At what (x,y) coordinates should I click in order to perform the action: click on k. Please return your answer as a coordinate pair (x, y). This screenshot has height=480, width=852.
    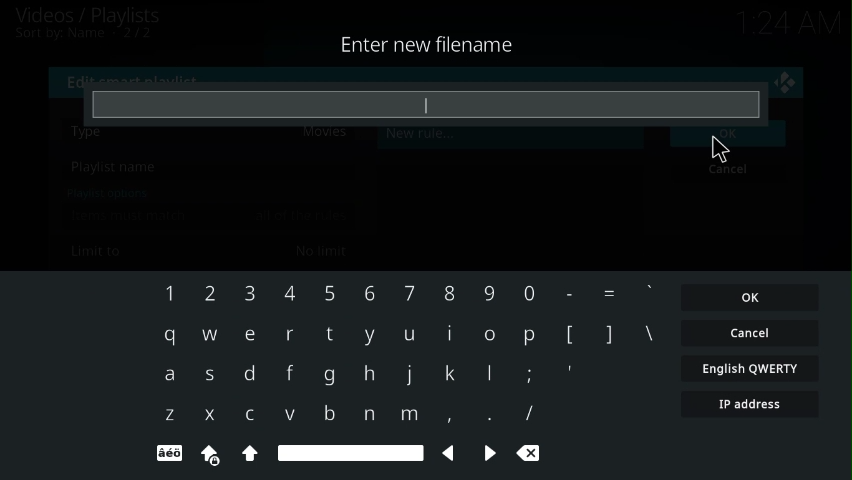
    Looking at the image, I should click on (446, 374).